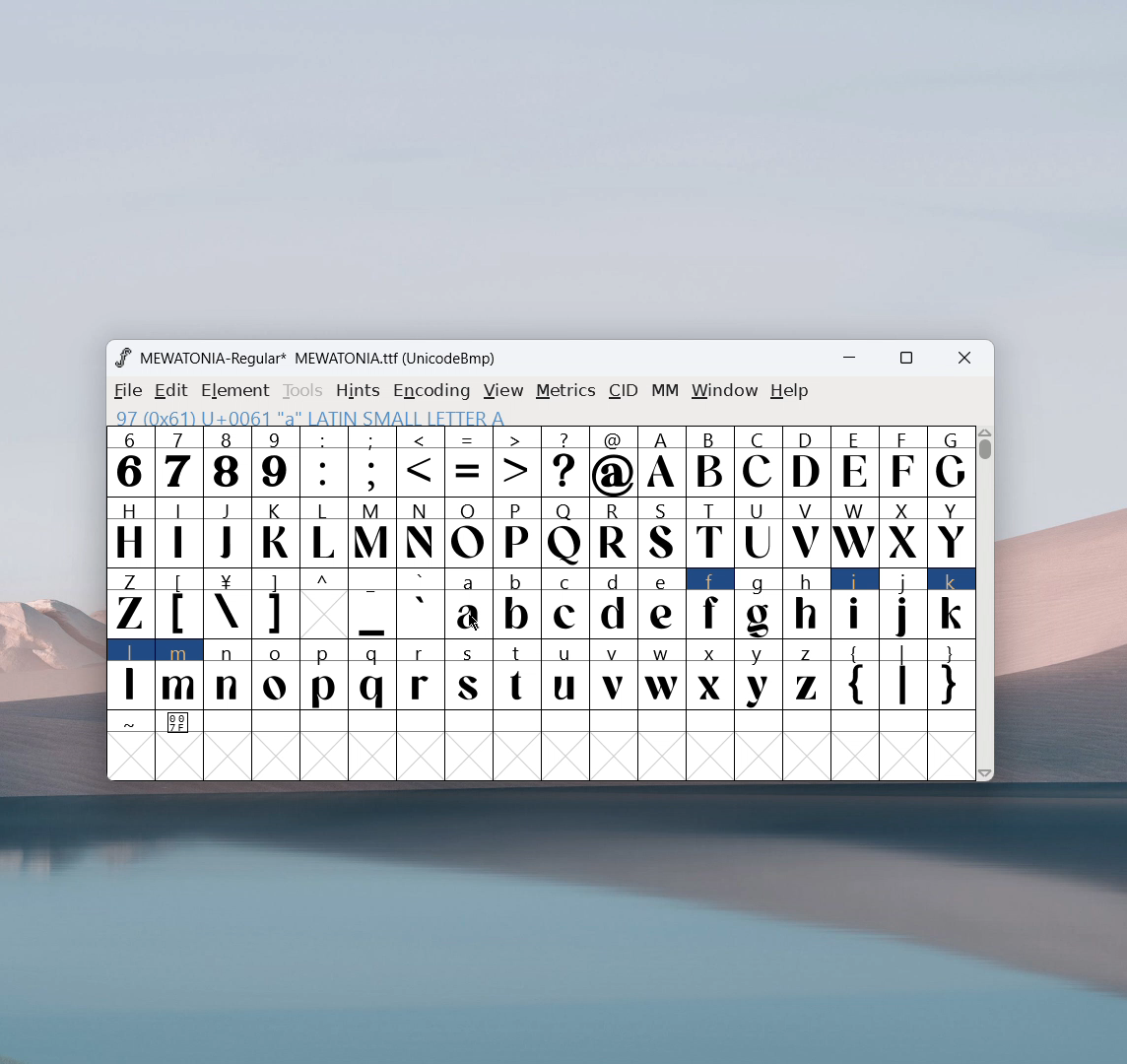 This screenshot has width=1127, height=1064. Describe the element at coordinates (125, 391) in the screenshot. I see `file` at that location.